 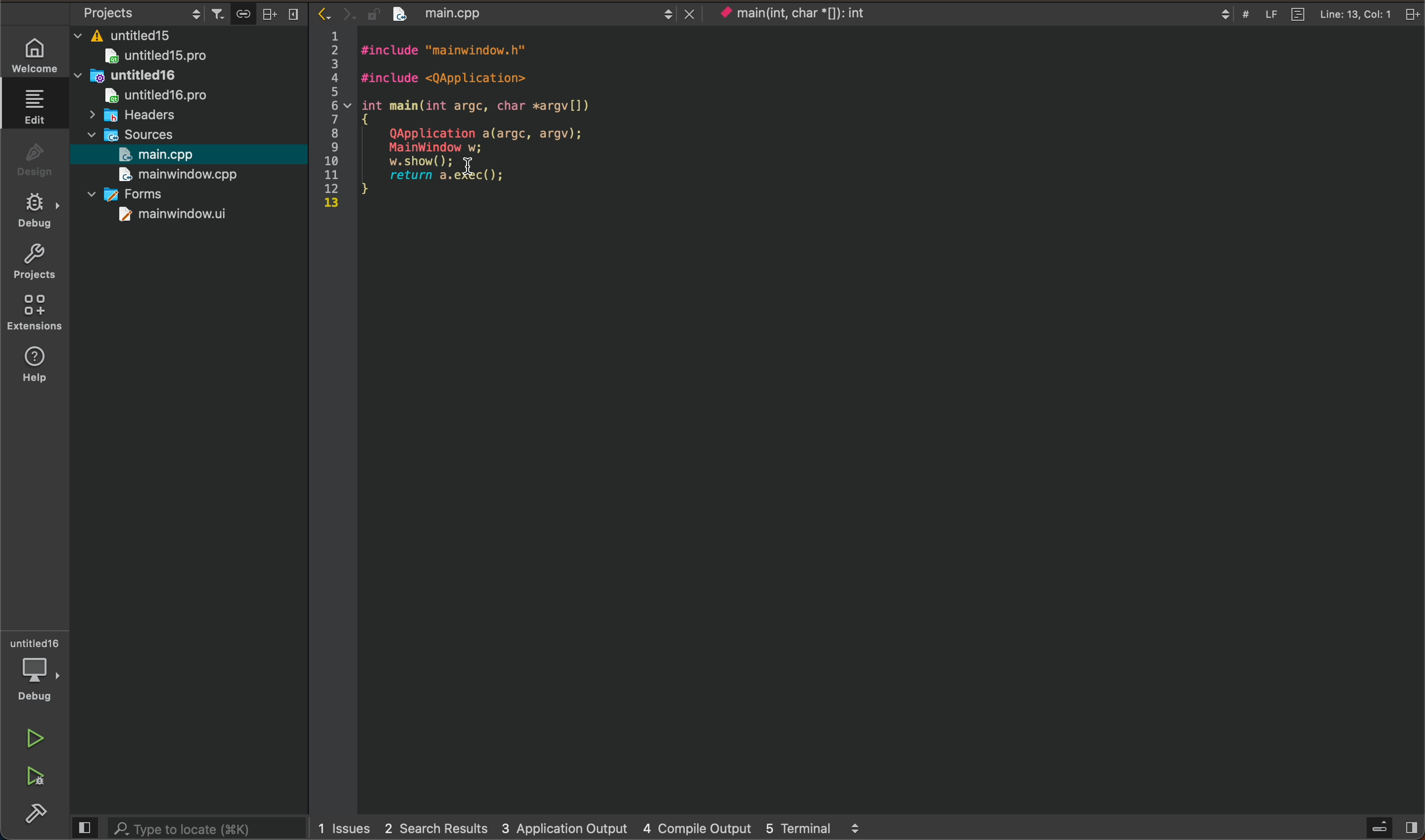 I want to click on current context, so click(x=807, y=15).